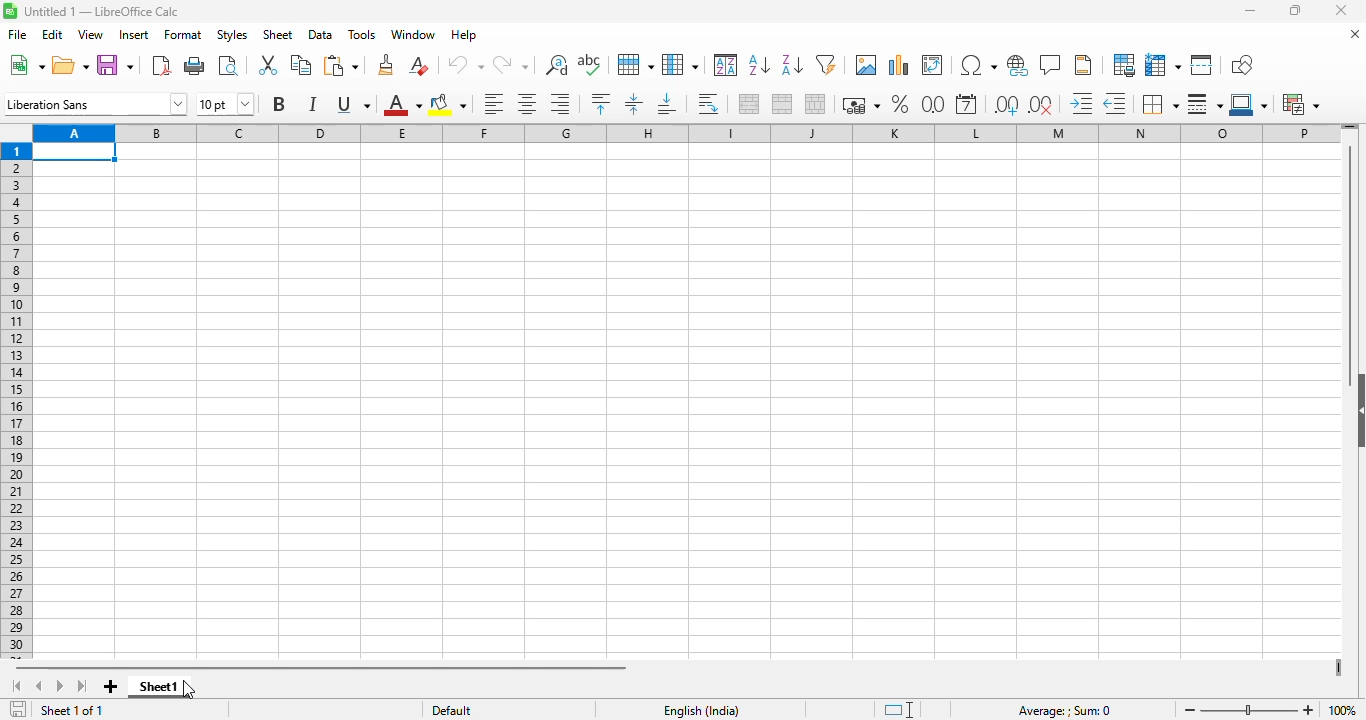 Image resolution: width=1366 pixels, height=720 pixels. Describe the element at coordinates (1357, 411) in the screenshot. I see `show` at that location.